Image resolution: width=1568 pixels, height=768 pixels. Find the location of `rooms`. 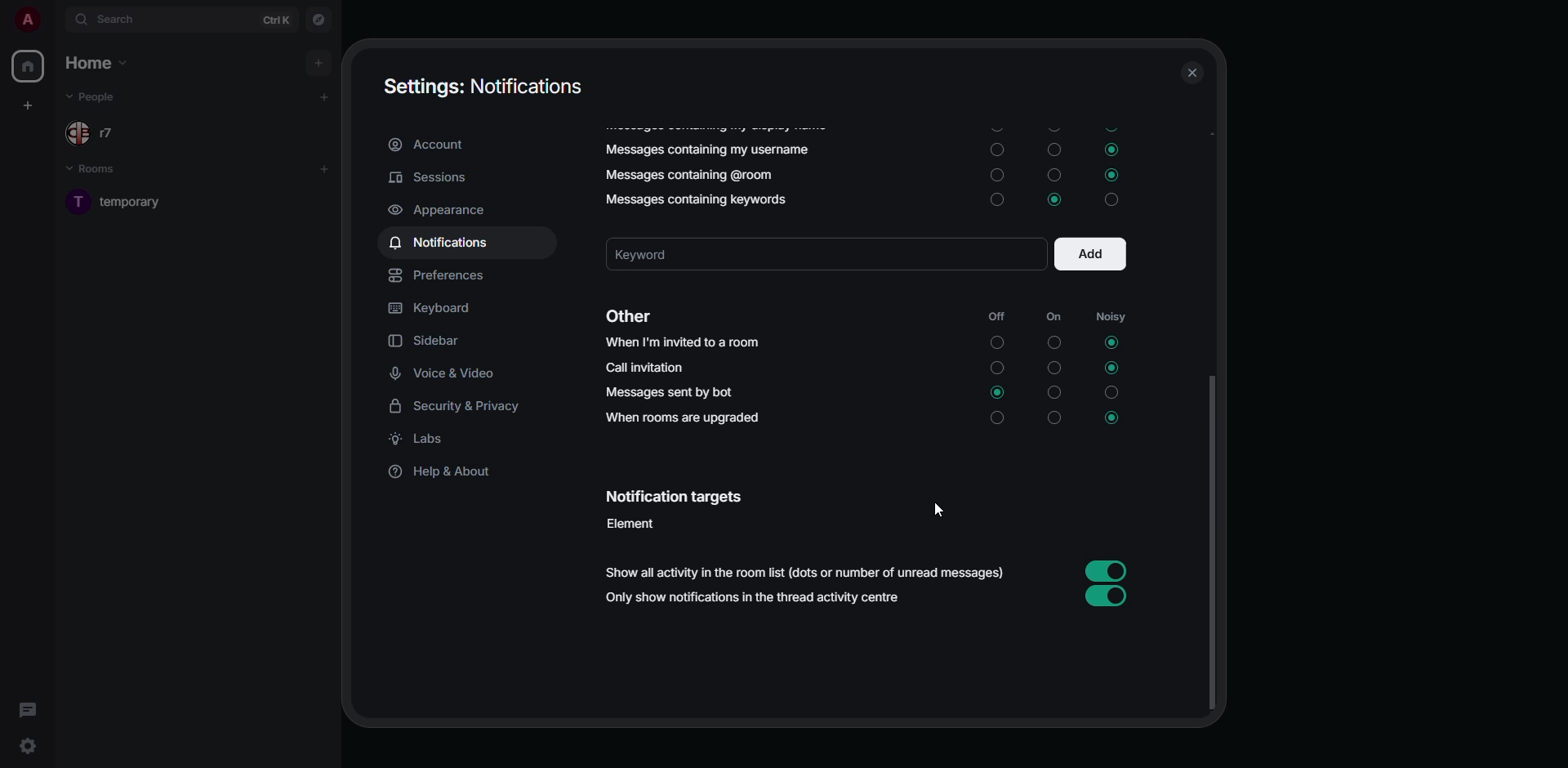

rooms is located at coordinates (95, 169).